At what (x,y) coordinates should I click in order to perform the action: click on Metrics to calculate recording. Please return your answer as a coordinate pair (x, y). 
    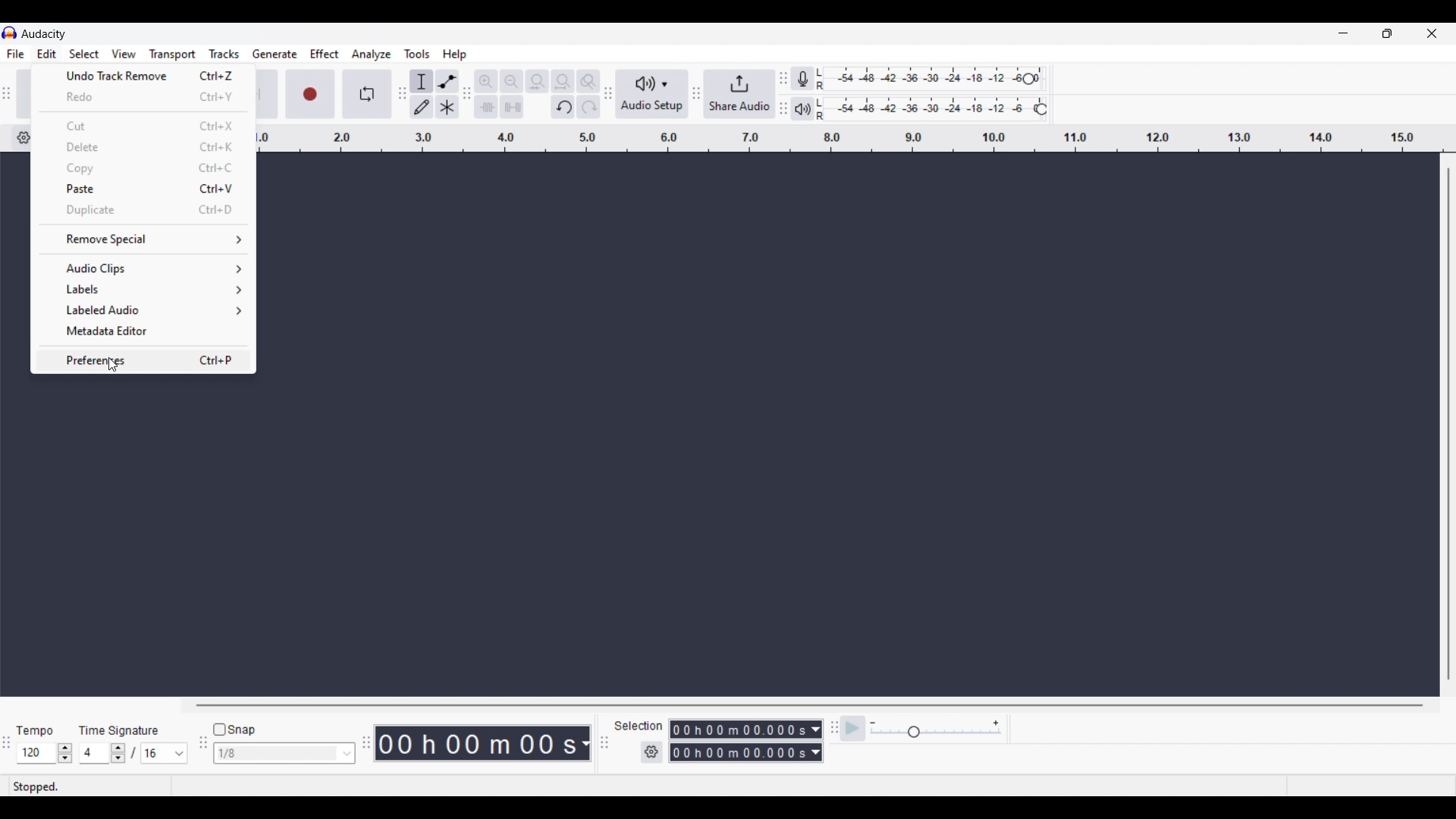
    Looking at the image, I should click on (585, 743).